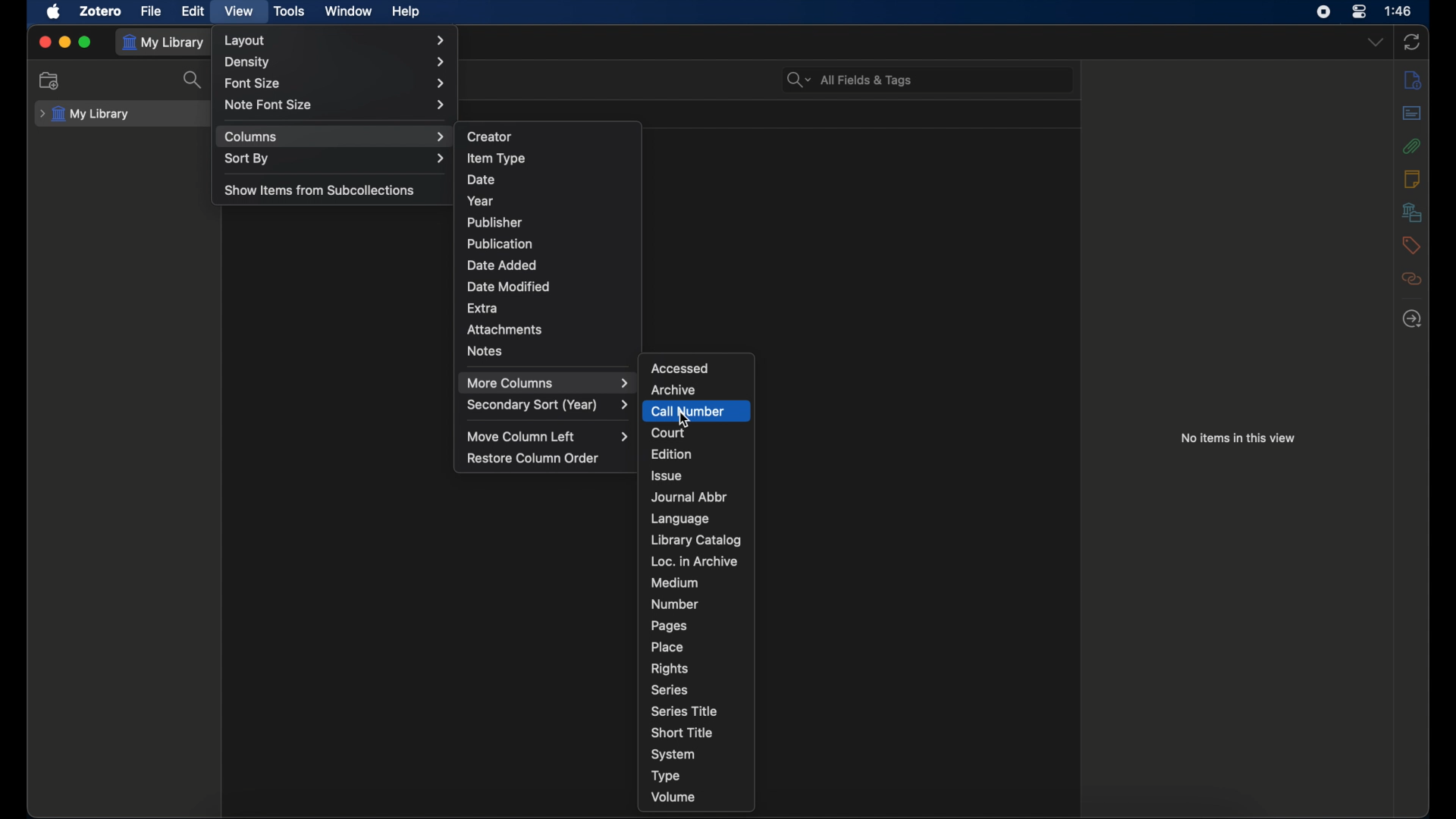  Describe the element at coordinates (666, 775) in the screenshot. I see `type` at that location.